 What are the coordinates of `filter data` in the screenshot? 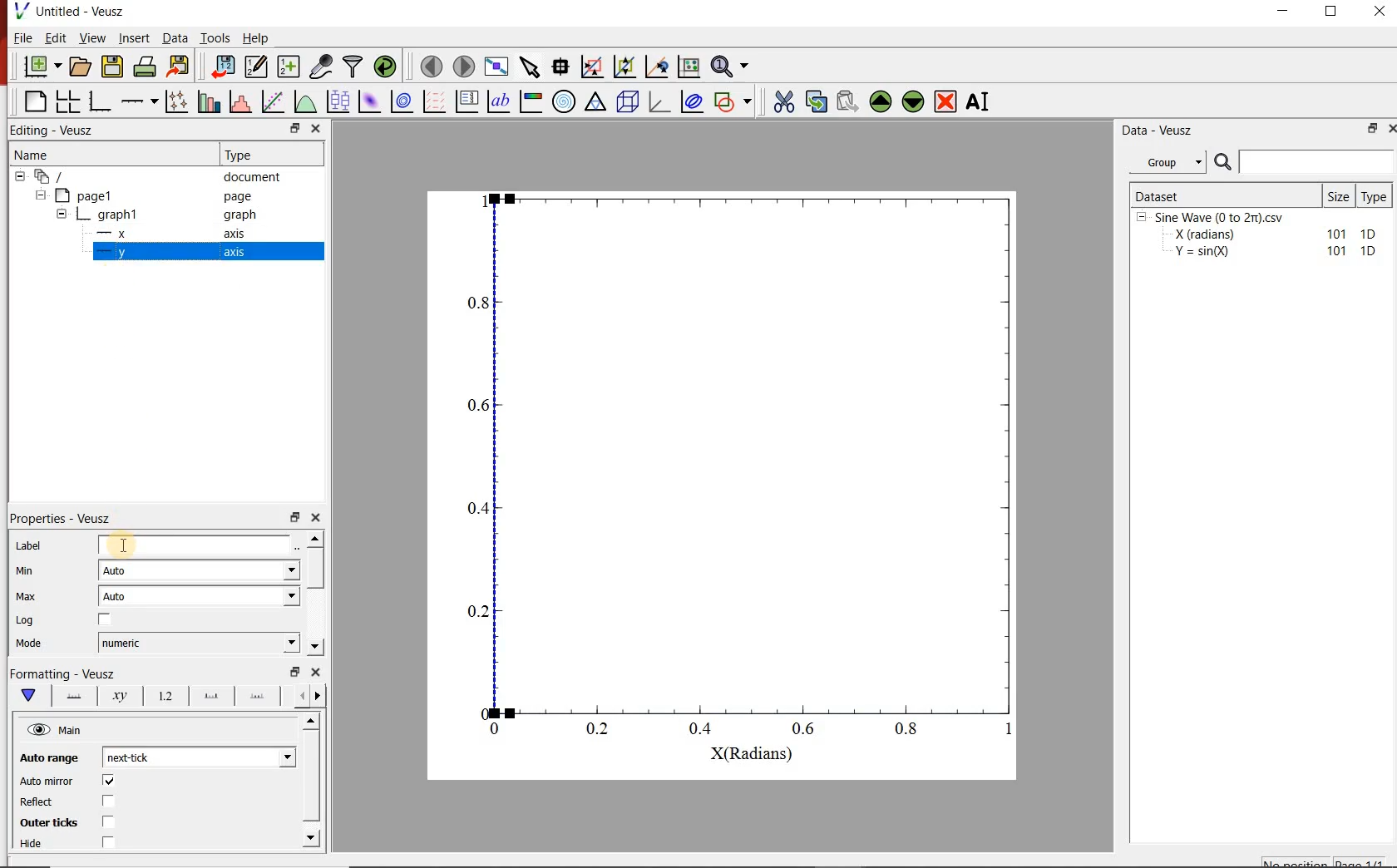 It's located at (354, 67).